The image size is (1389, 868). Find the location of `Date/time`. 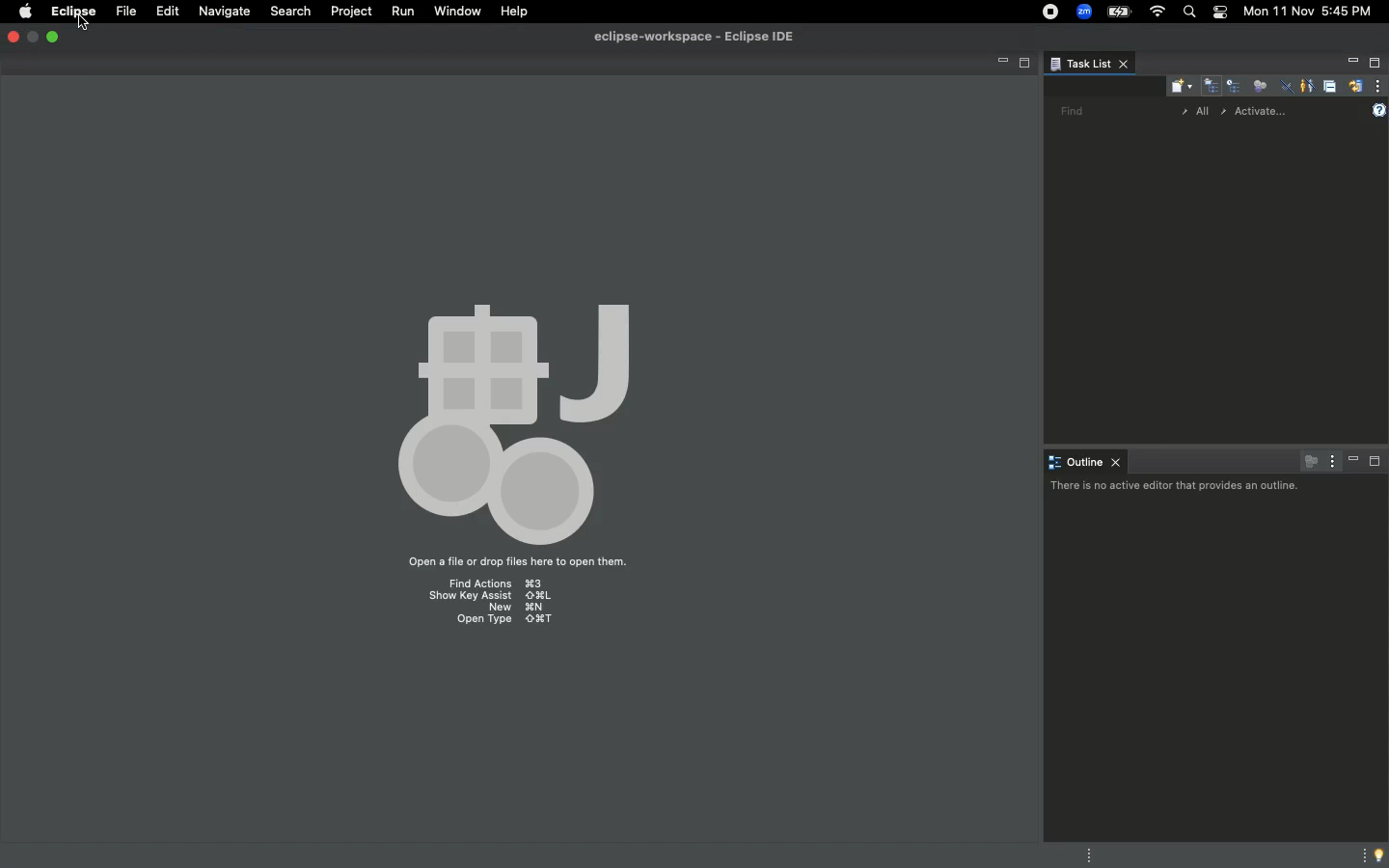

Date/time is located at coordinates (1314, 12).